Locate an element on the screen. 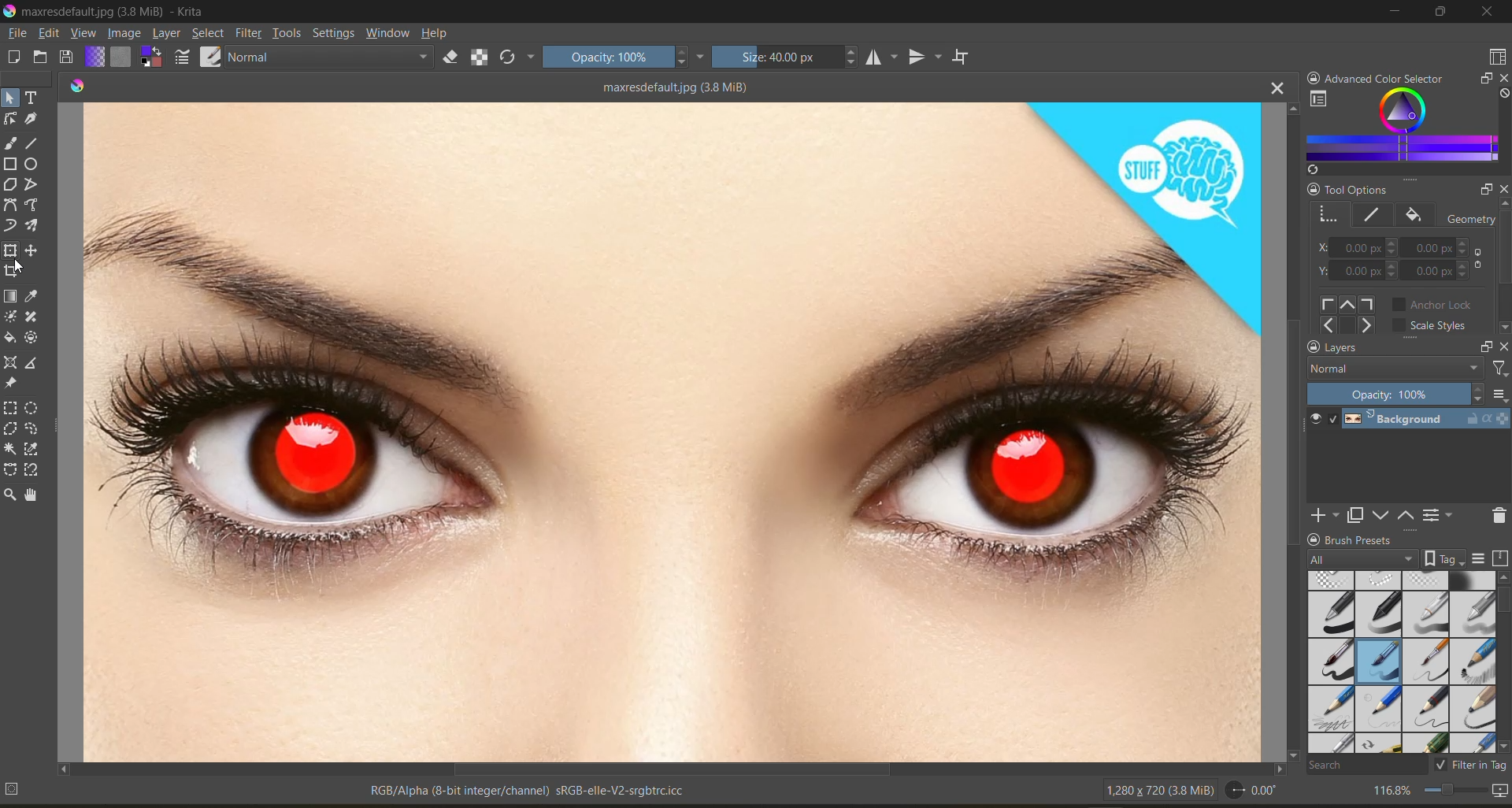 This screenshot has width=1512, height=808. tools is located at coordinates (287, 34).